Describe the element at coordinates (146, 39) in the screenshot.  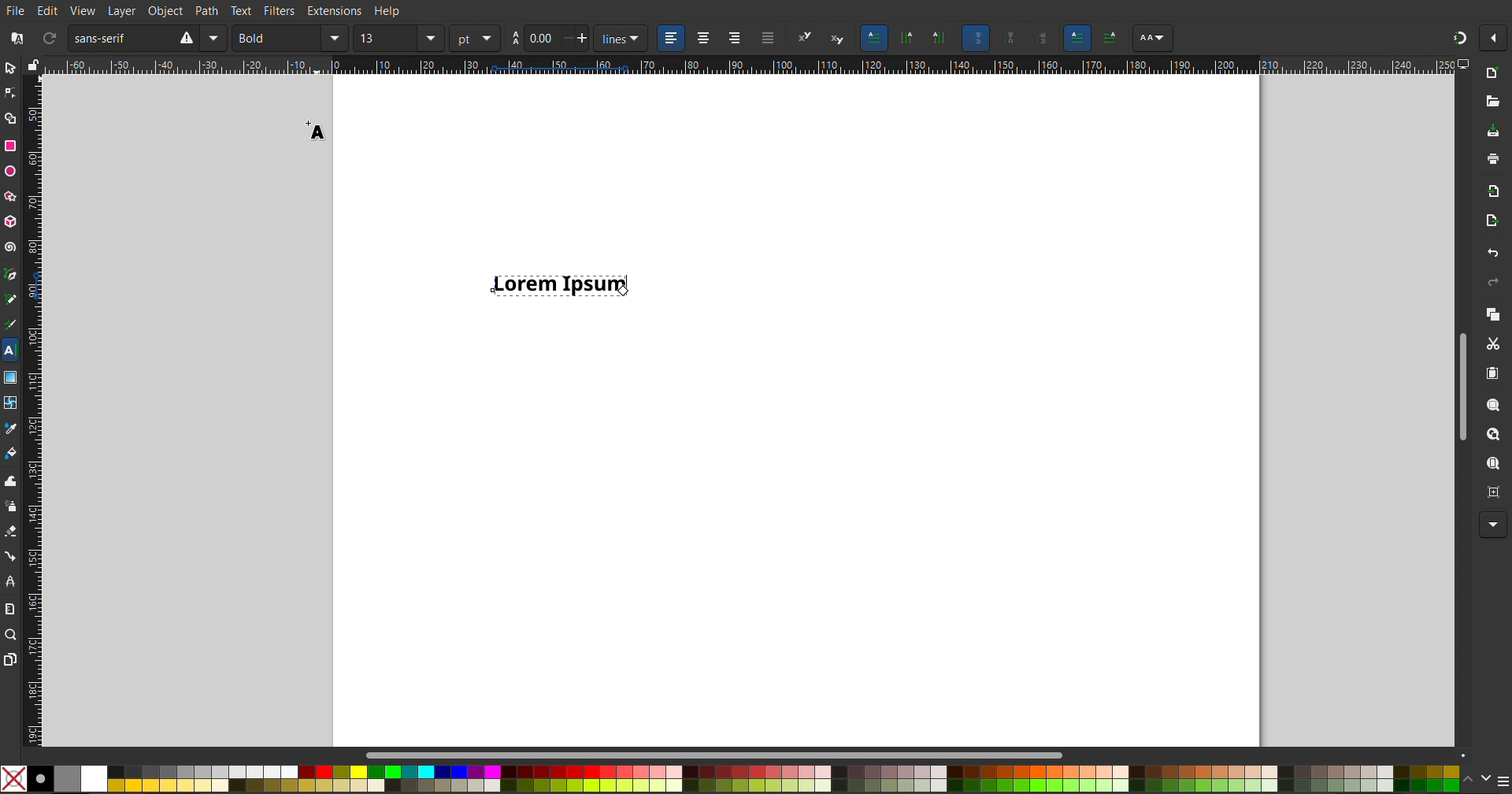
I see `Font` at that location.